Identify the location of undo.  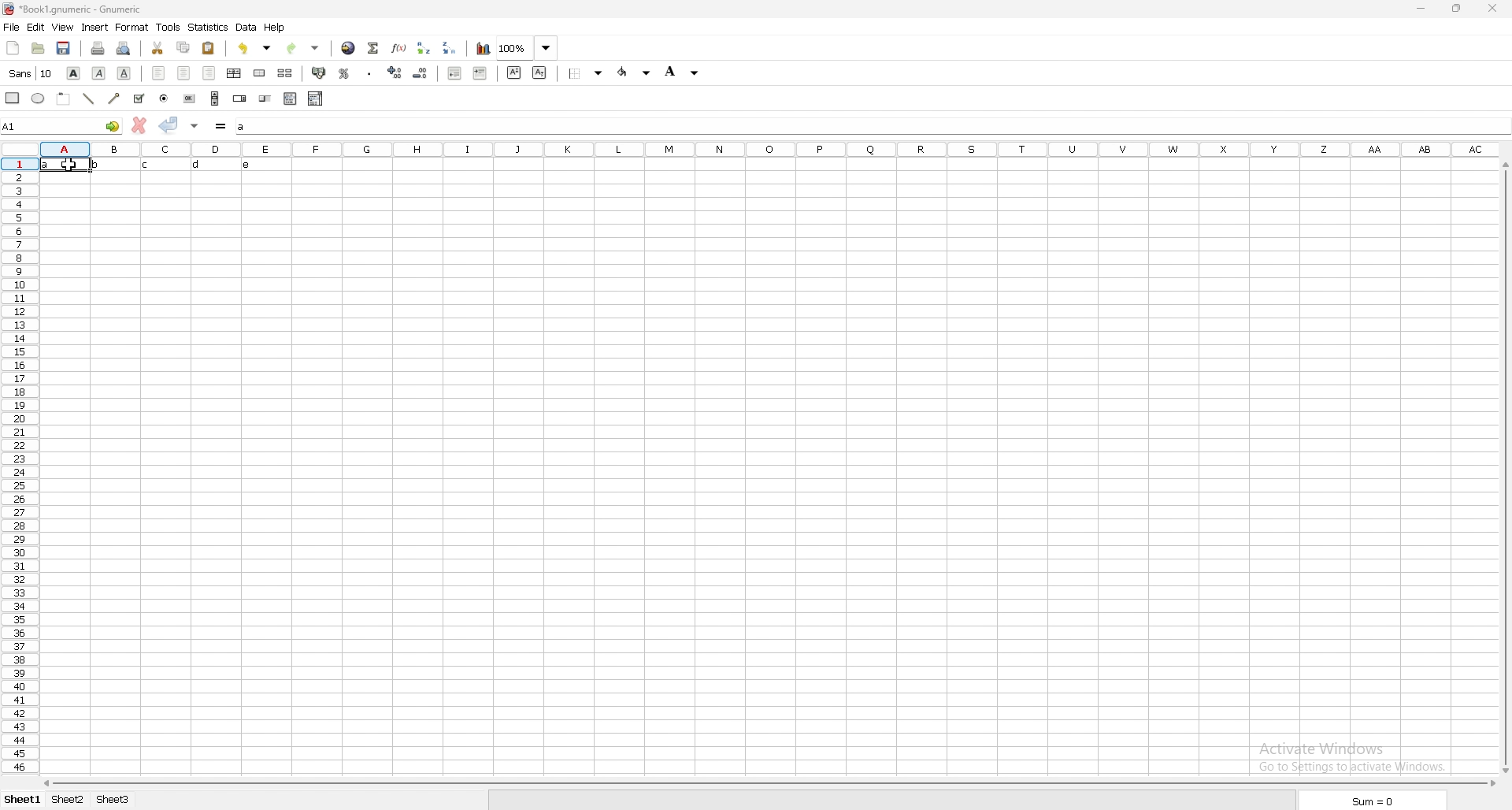
(254, 48).